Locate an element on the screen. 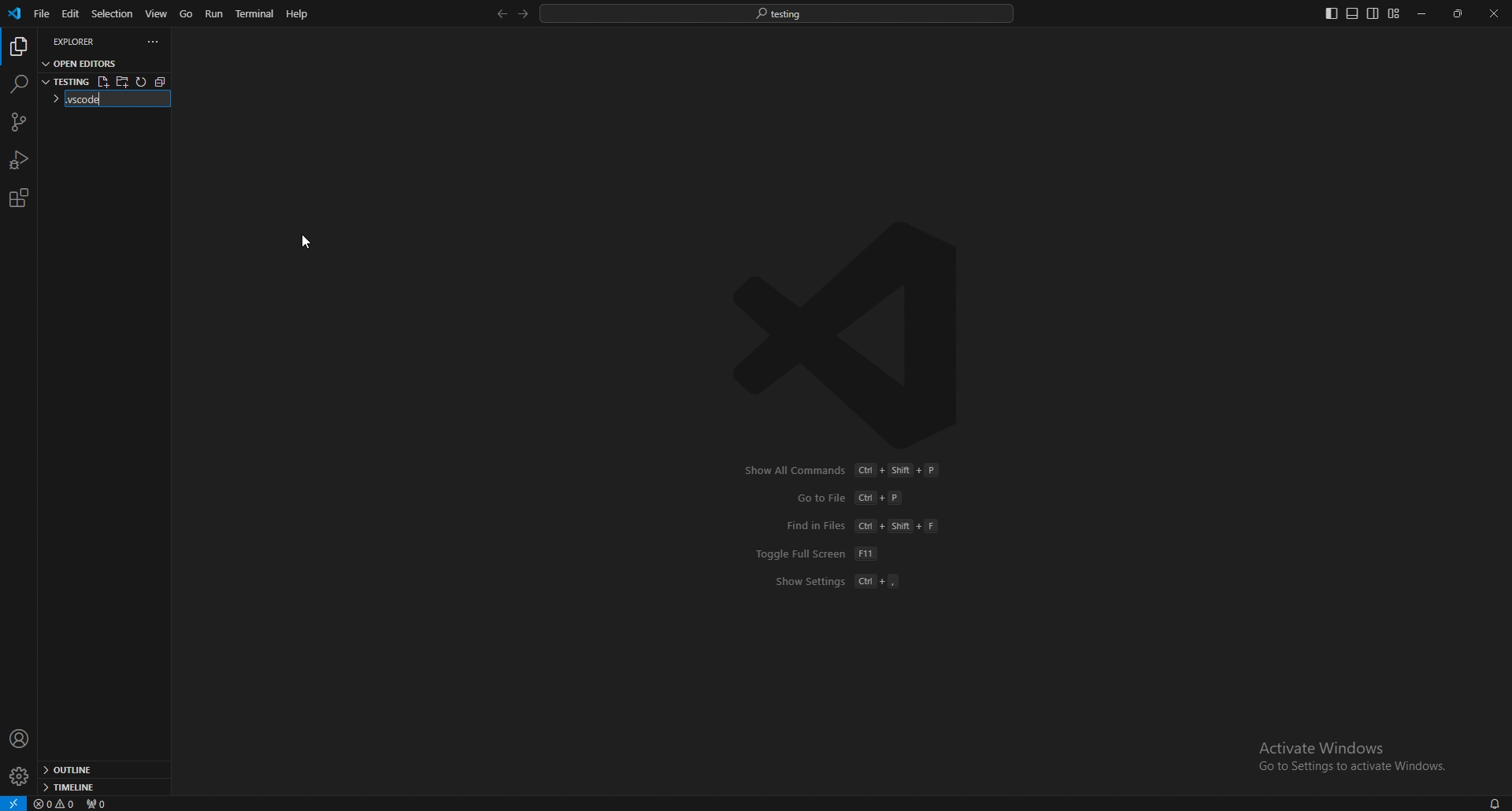  explorer is located at coordinates (83, 41).